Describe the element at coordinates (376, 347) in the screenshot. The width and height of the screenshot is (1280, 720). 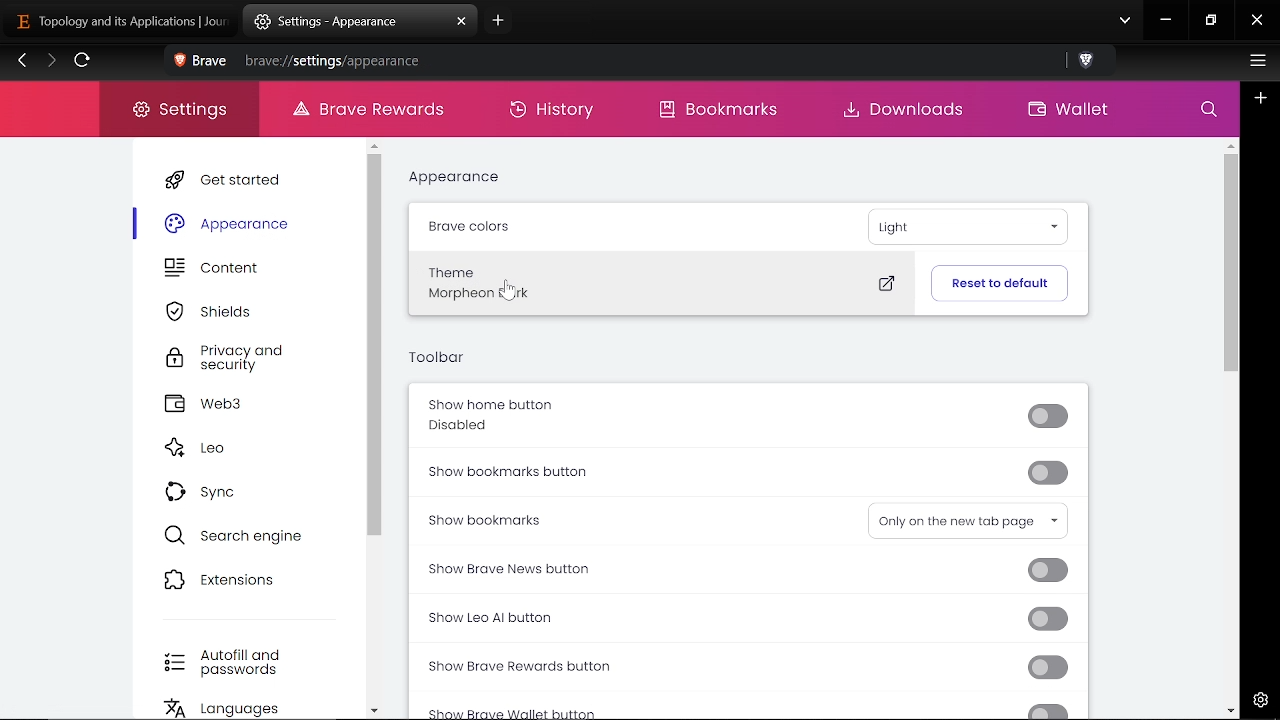
I see `Vertical scrolbar for sidebar menu` at that location.